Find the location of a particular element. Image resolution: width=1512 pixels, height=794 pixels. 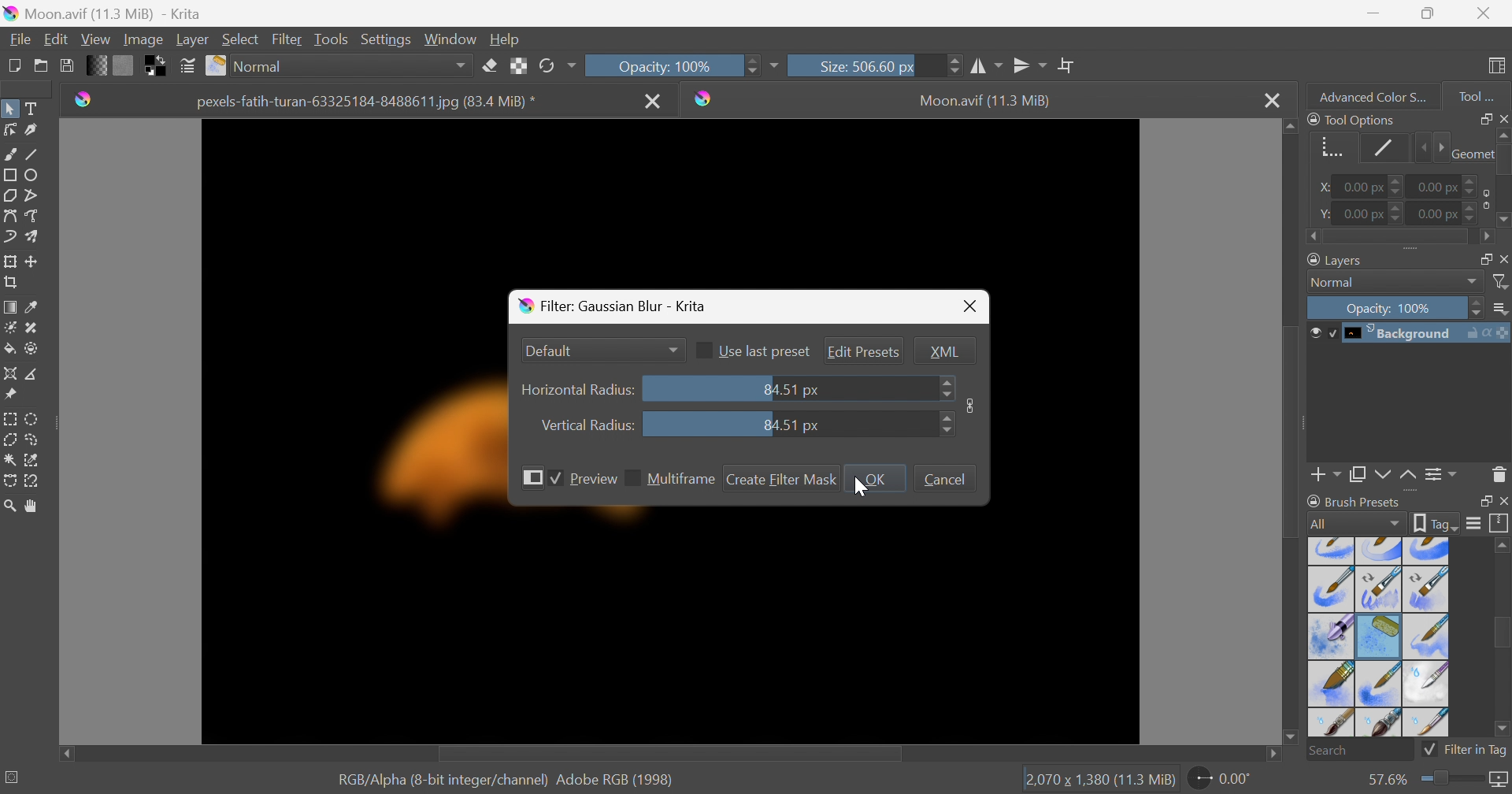

Polygonal selection tool is located at coordinates (10, 440).